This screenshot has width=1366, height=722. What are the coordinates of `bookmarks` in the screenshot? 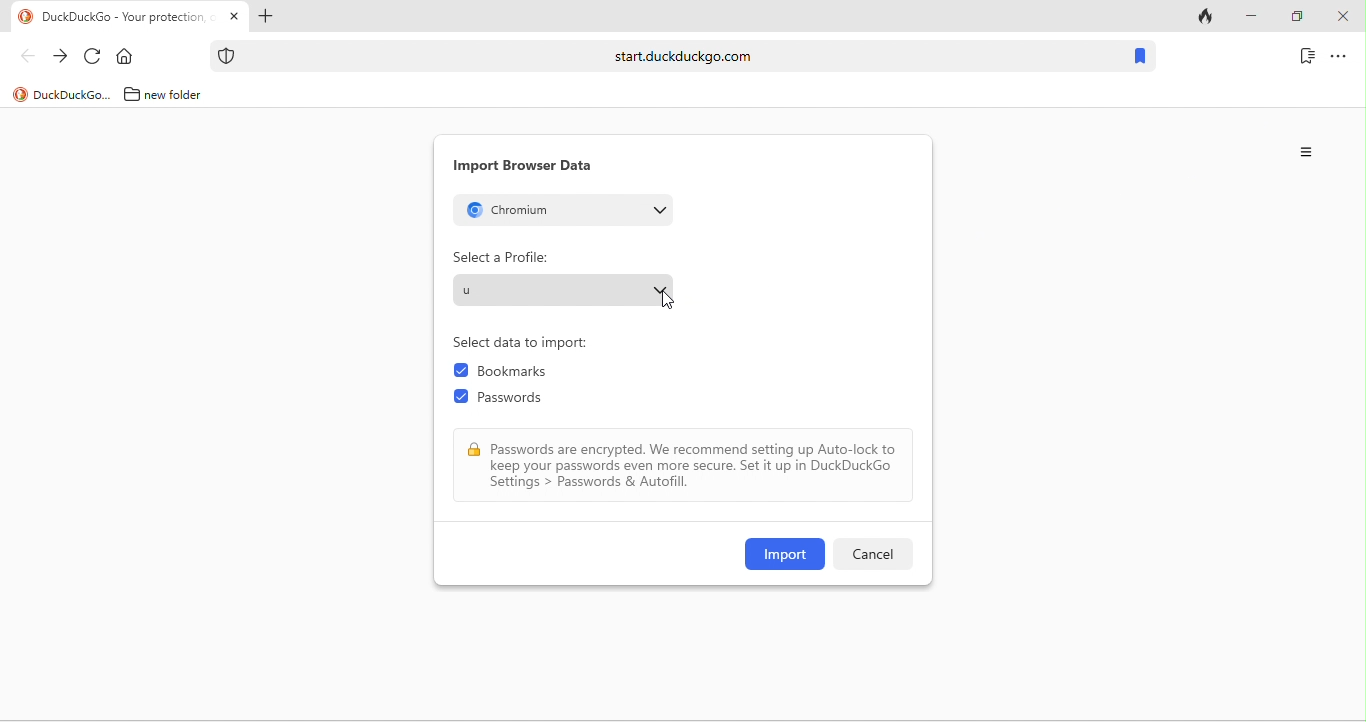 It's located at (1139, 57).